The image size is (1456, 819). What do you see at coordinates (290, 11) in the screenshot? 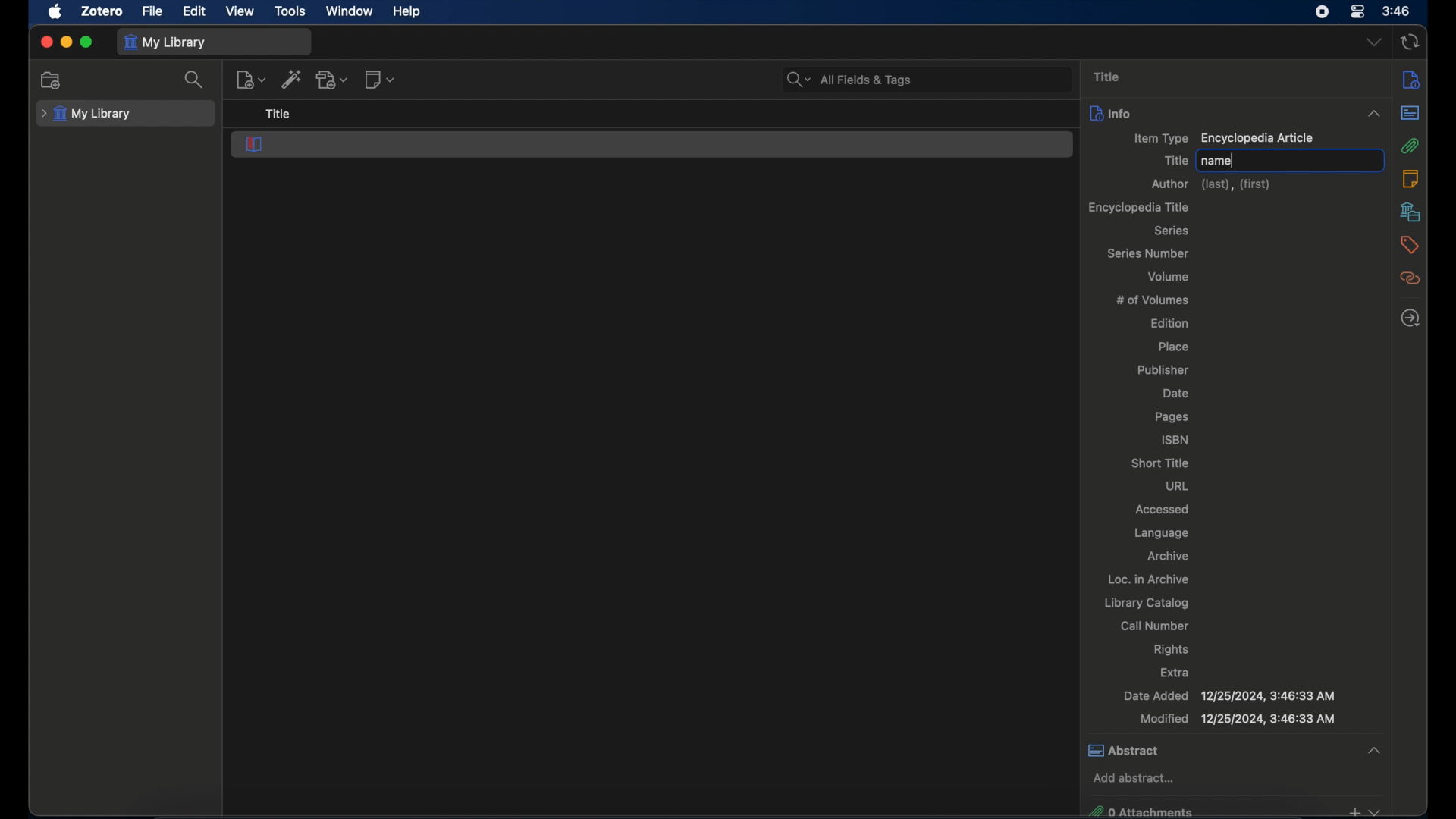
I see `tools` at bounding box center [290, 11].